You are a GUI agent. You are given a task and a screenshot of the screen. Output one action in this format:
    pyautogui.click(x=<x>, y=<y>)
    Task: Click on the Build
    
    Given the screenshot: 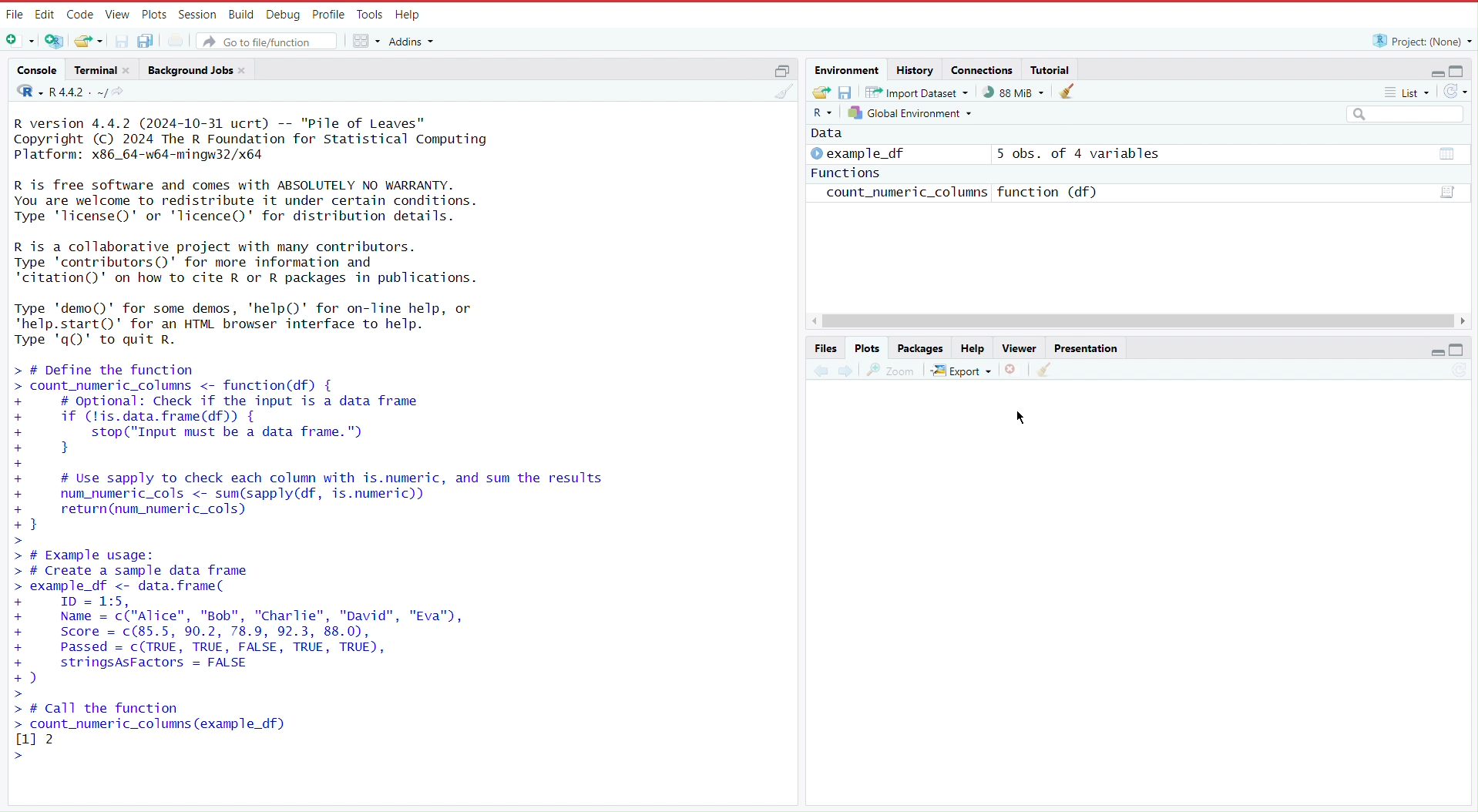 What is the action you would take?
    pyautogui.click(x=240, y=13)
    